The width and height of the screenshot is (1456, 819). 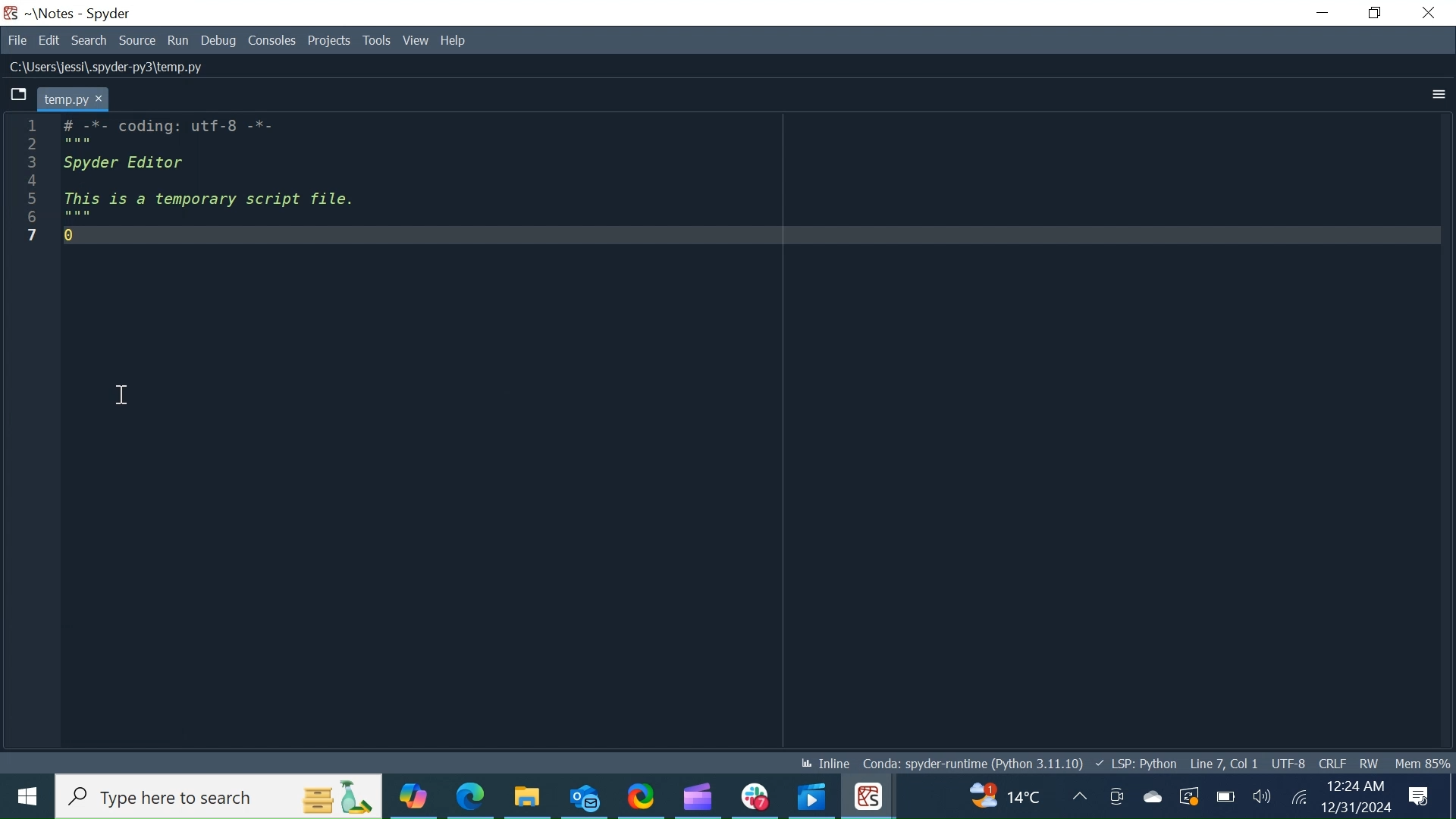 I want to click on cursor, so click(x=121, y=395).